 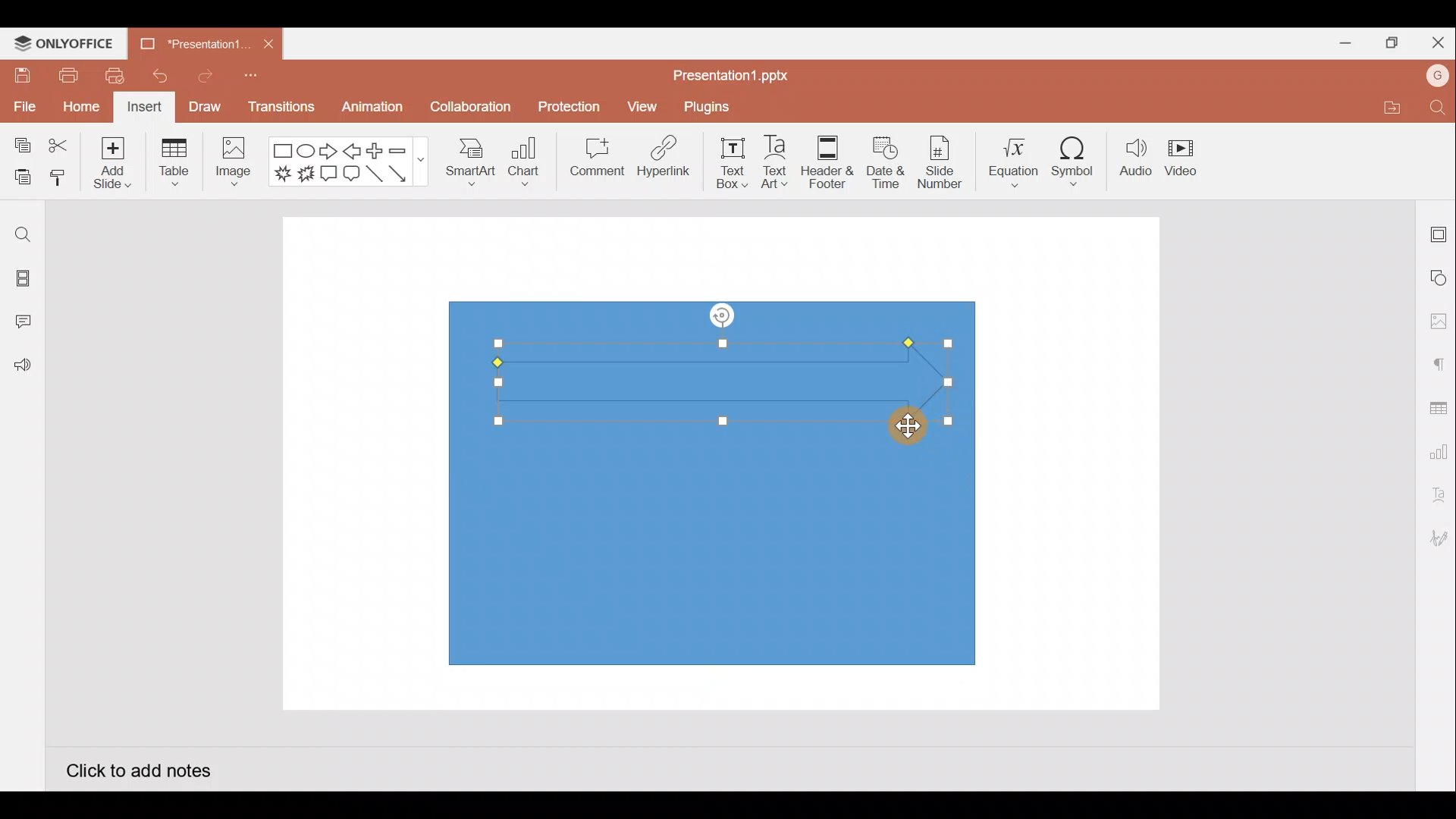 What do you see at coordinates (27, 323) in the screenshot?
I see `Comments` at bounding box center [27, 323].